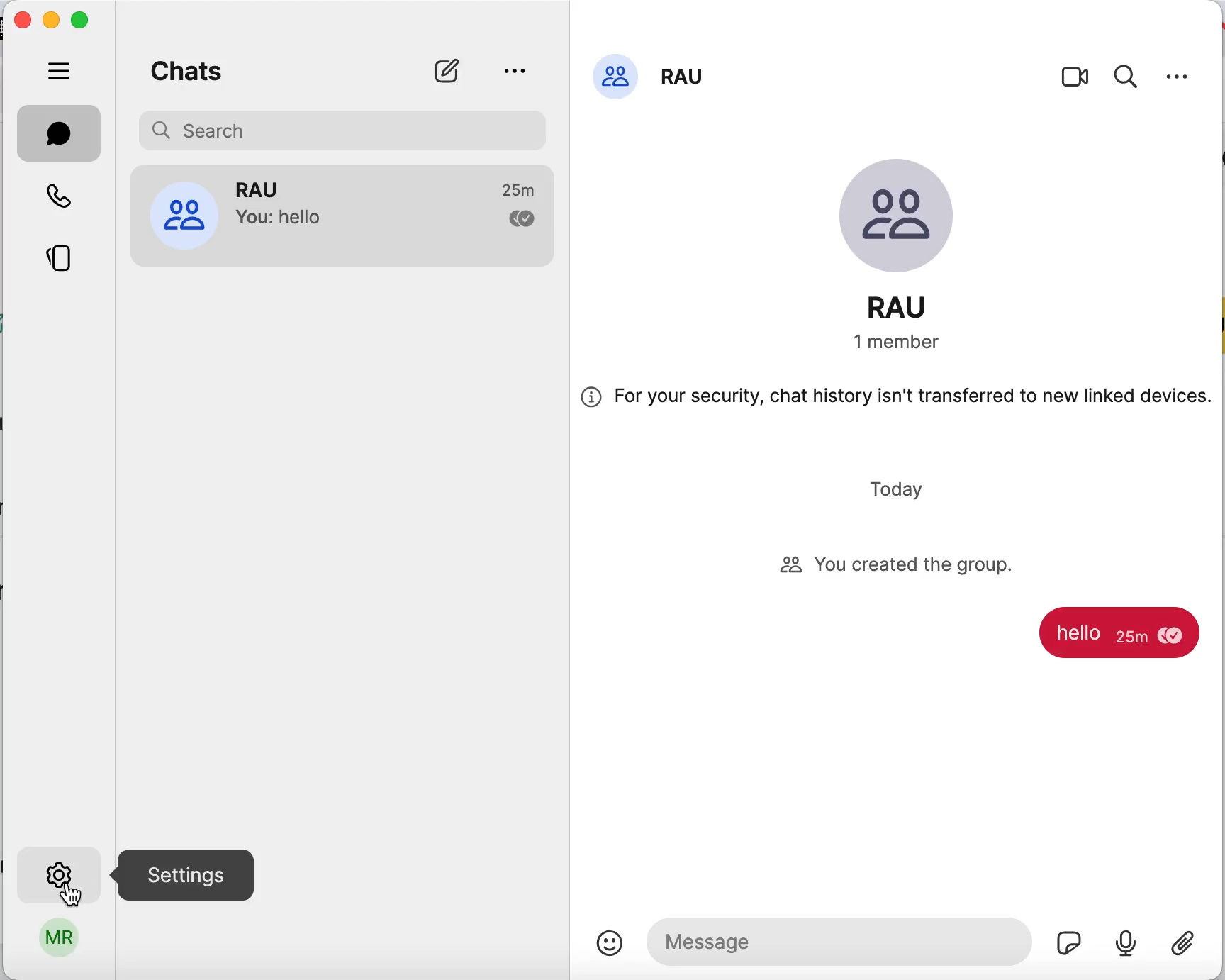 The image size is (1225, 980). What do you see at coordinates (913, 566) in the screenshot?
I see `you created the group` at bounding box center [913, 566].